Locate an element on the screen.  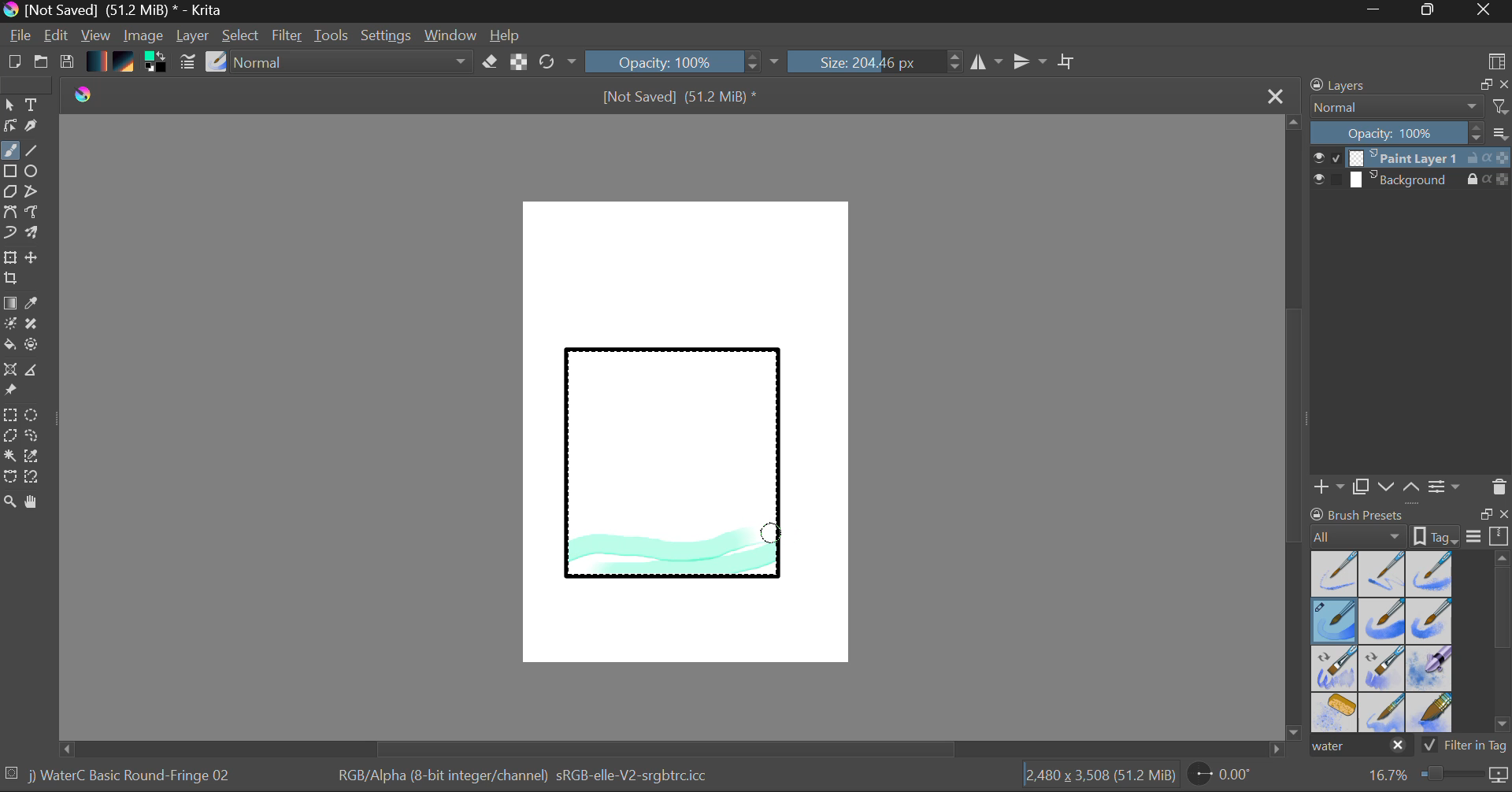
Water C - Special Blobs is located at coordinates (1430, 670).